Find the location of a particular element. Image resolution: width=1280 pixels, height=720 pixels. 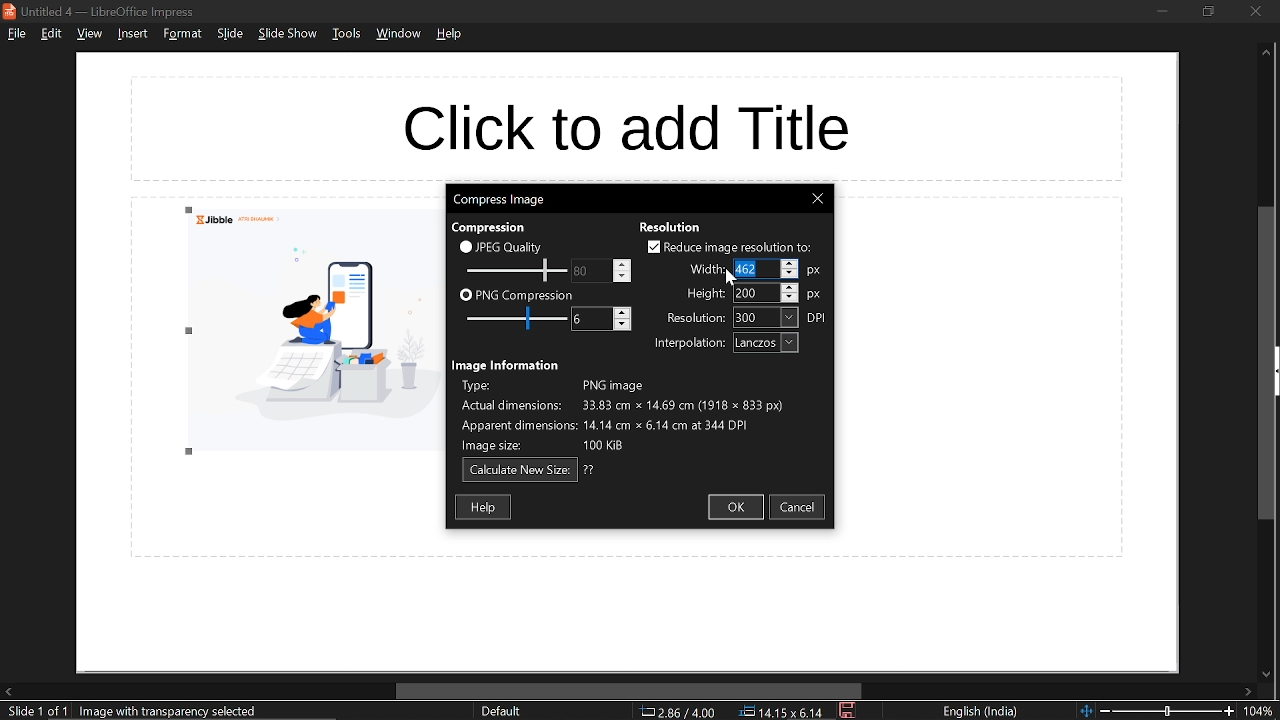

vertical scrollbar is located at coordinates (1268, 364).